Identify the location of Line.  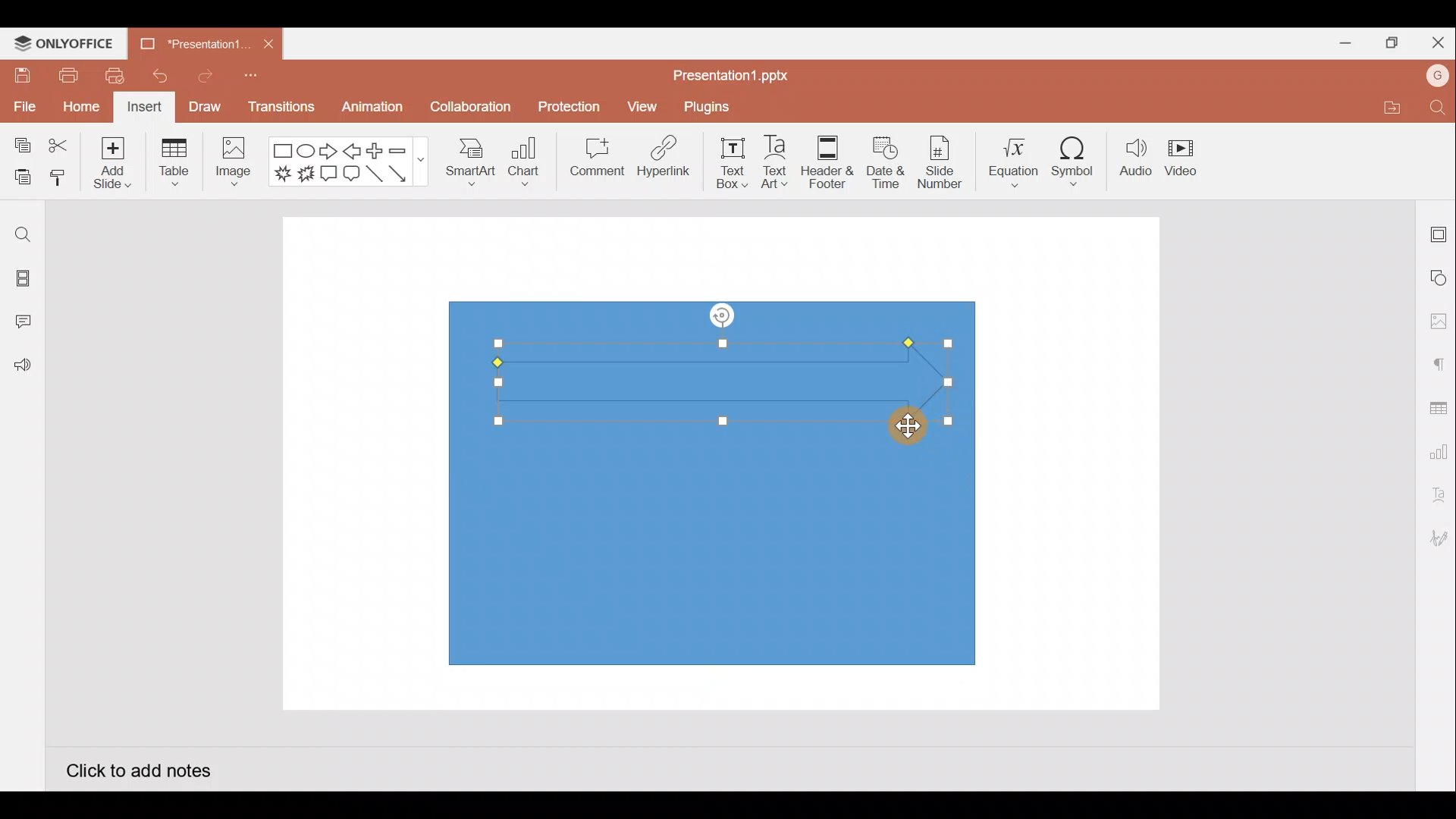
(376, 178).